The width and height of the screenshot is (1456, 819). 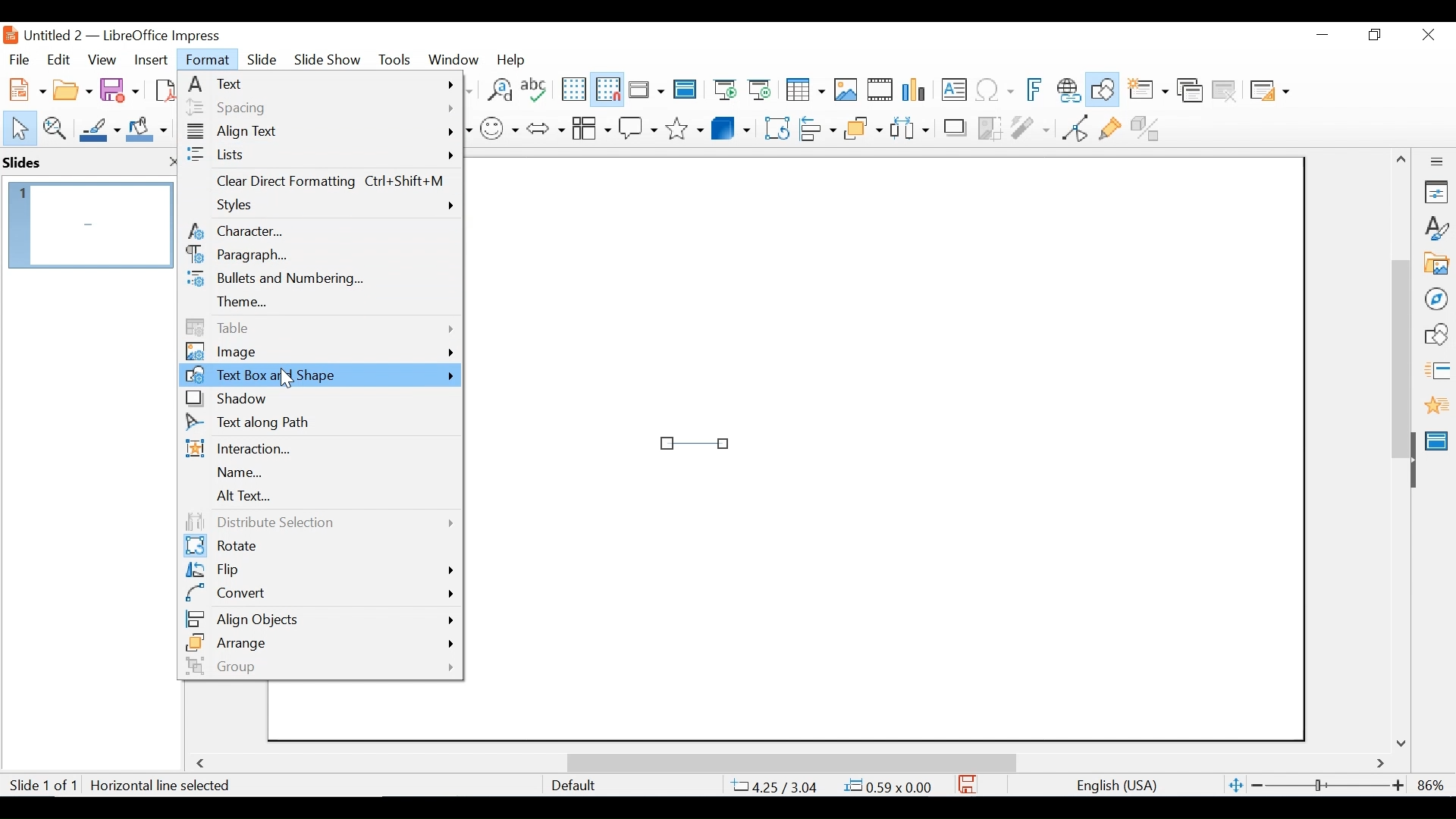 I want to click on Slide 1 of 1, so click(x=42, y=786).